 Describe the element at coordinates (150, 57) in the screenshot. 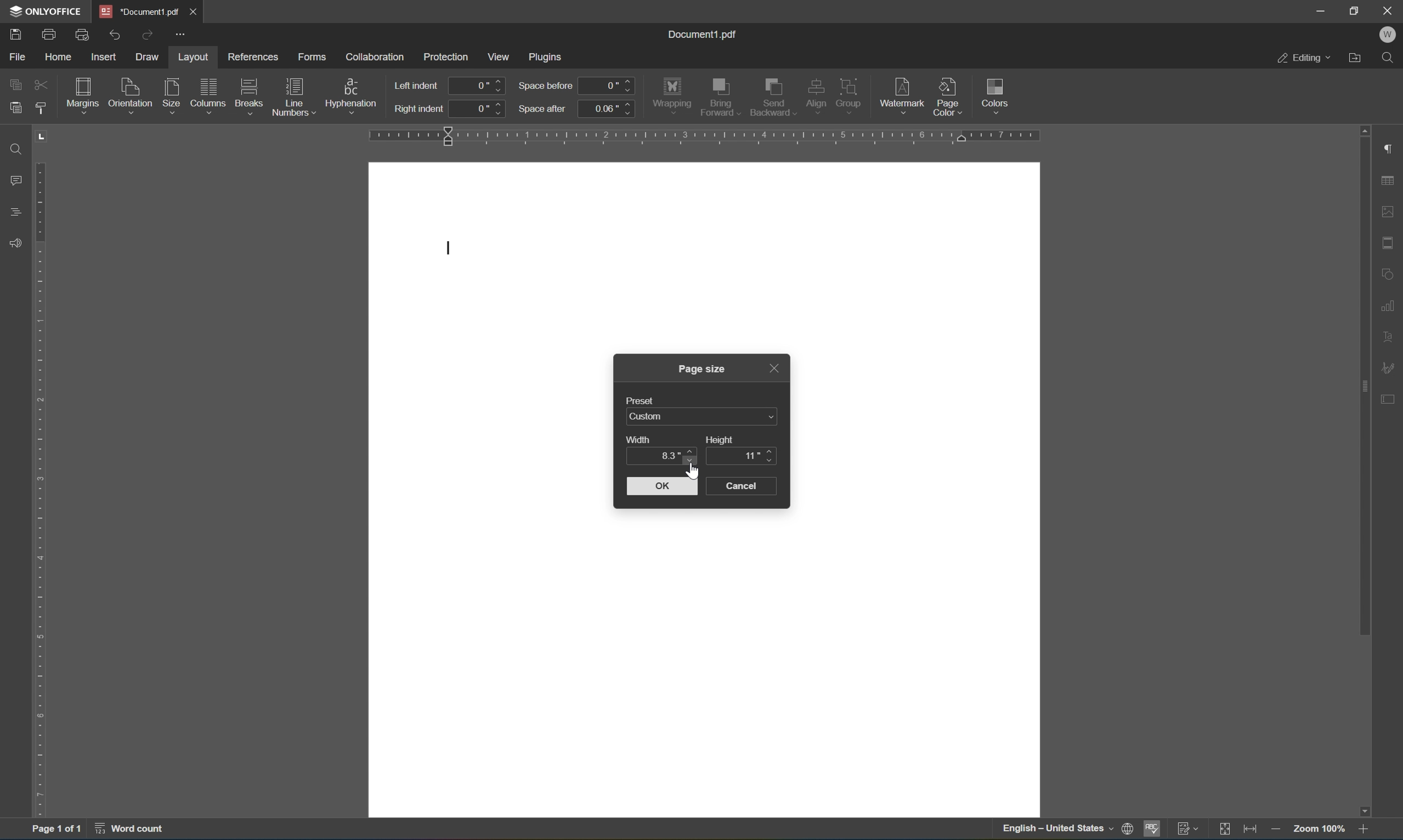

I see `draw` at that location.